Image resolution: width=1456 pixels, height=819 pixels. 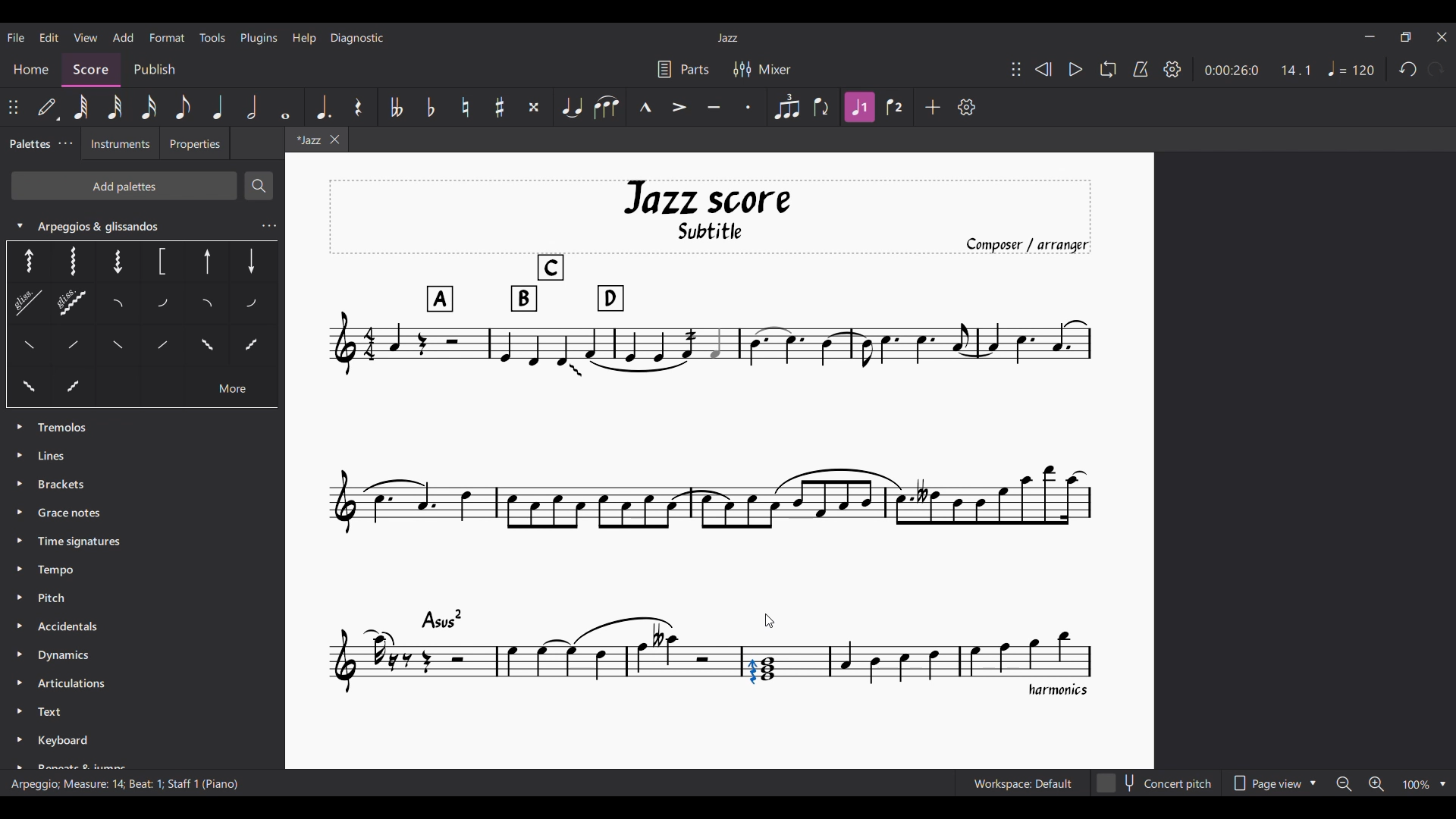 What do you see at coordinates (769, 621) in the screenshot?
I see `Cursor position unchanged` at bounding box center [769, 621].